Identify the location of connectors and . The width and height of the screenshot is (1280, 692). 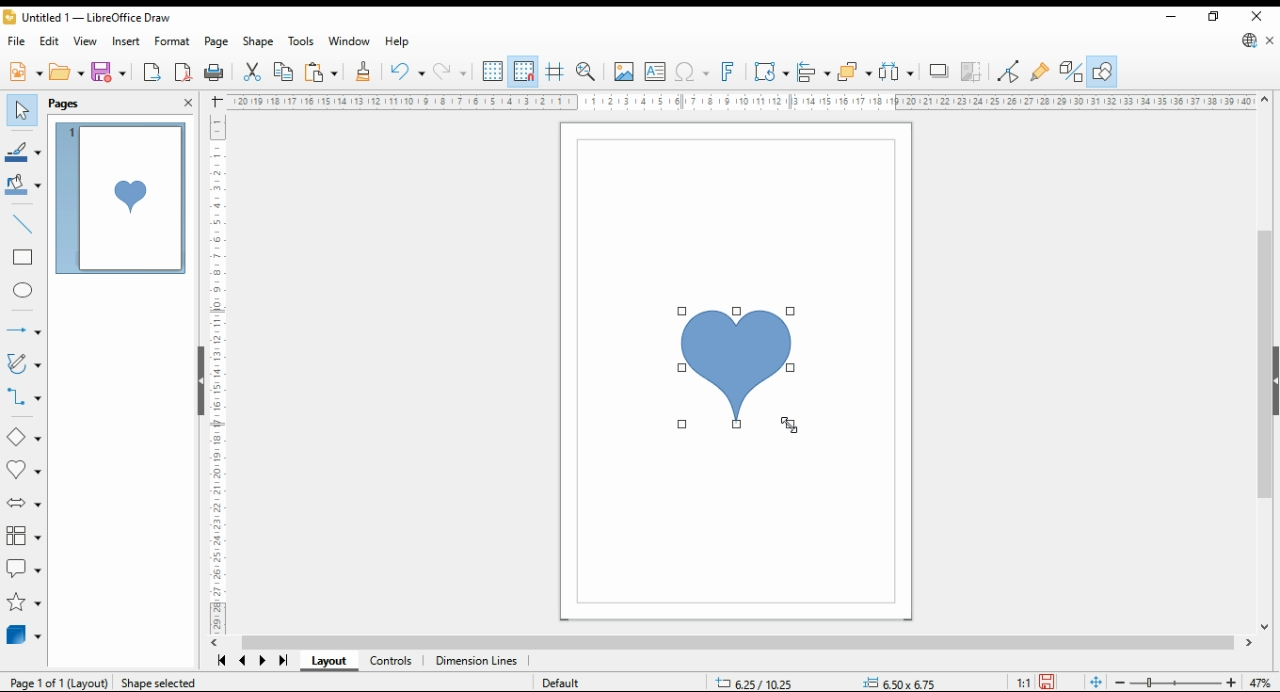
(23, 399).